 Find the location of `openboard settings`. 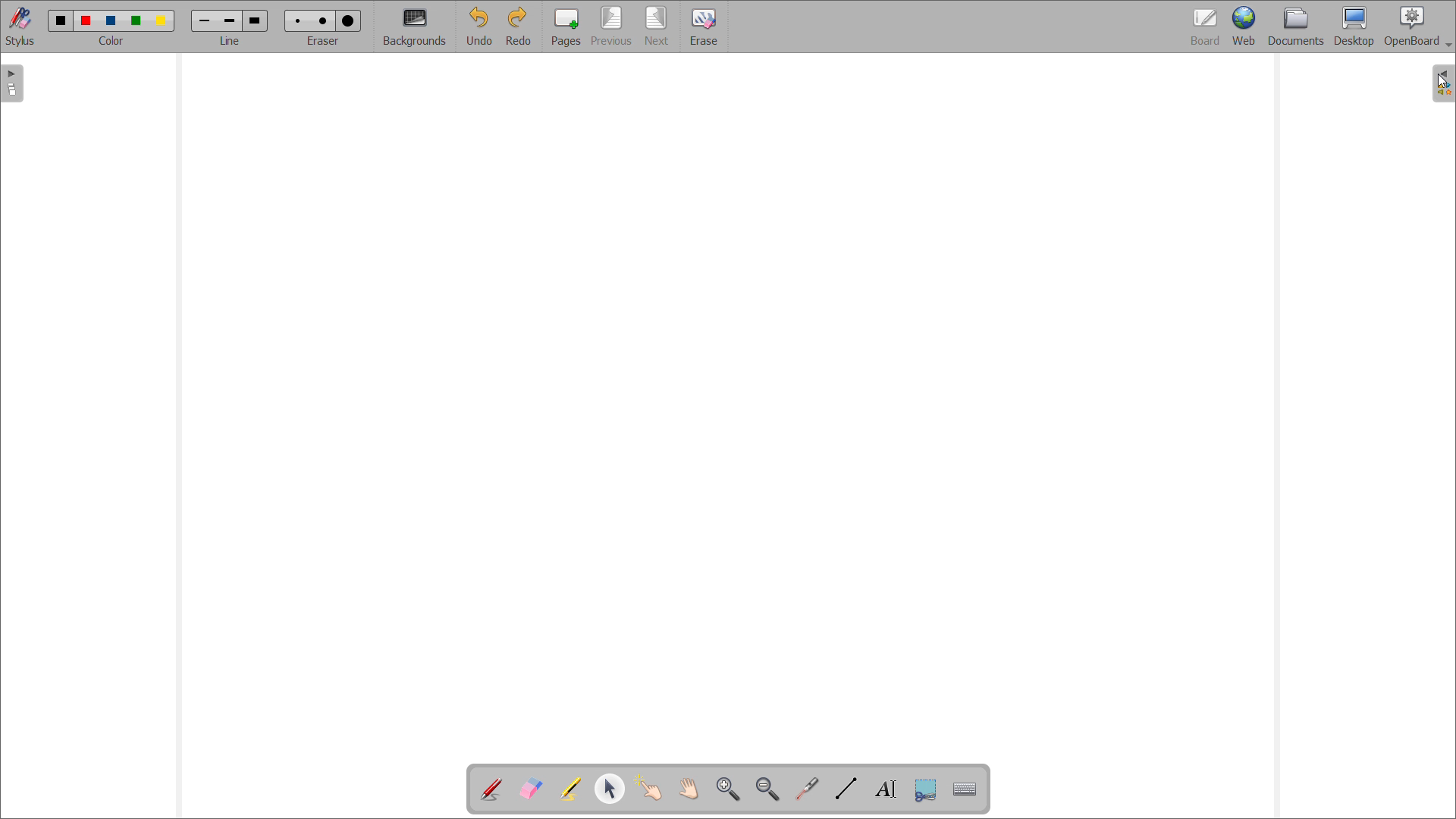

openboard settings is located at coordinates (1417, 27).